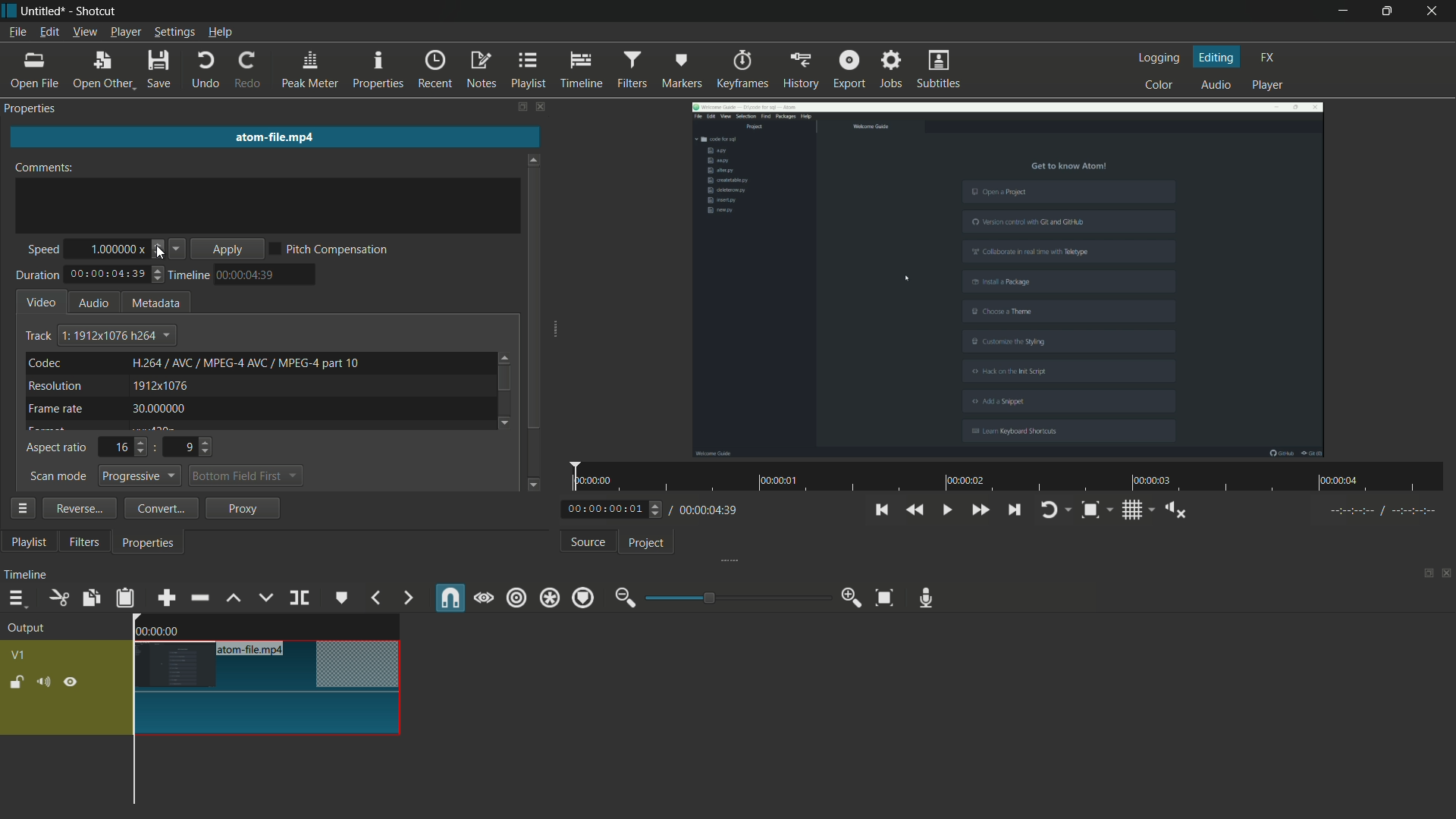 The width and height of the screenshot is (1456, 819). Describe the element at coordinates (891, 68) in the screenshot. I see `jobs` at that location.